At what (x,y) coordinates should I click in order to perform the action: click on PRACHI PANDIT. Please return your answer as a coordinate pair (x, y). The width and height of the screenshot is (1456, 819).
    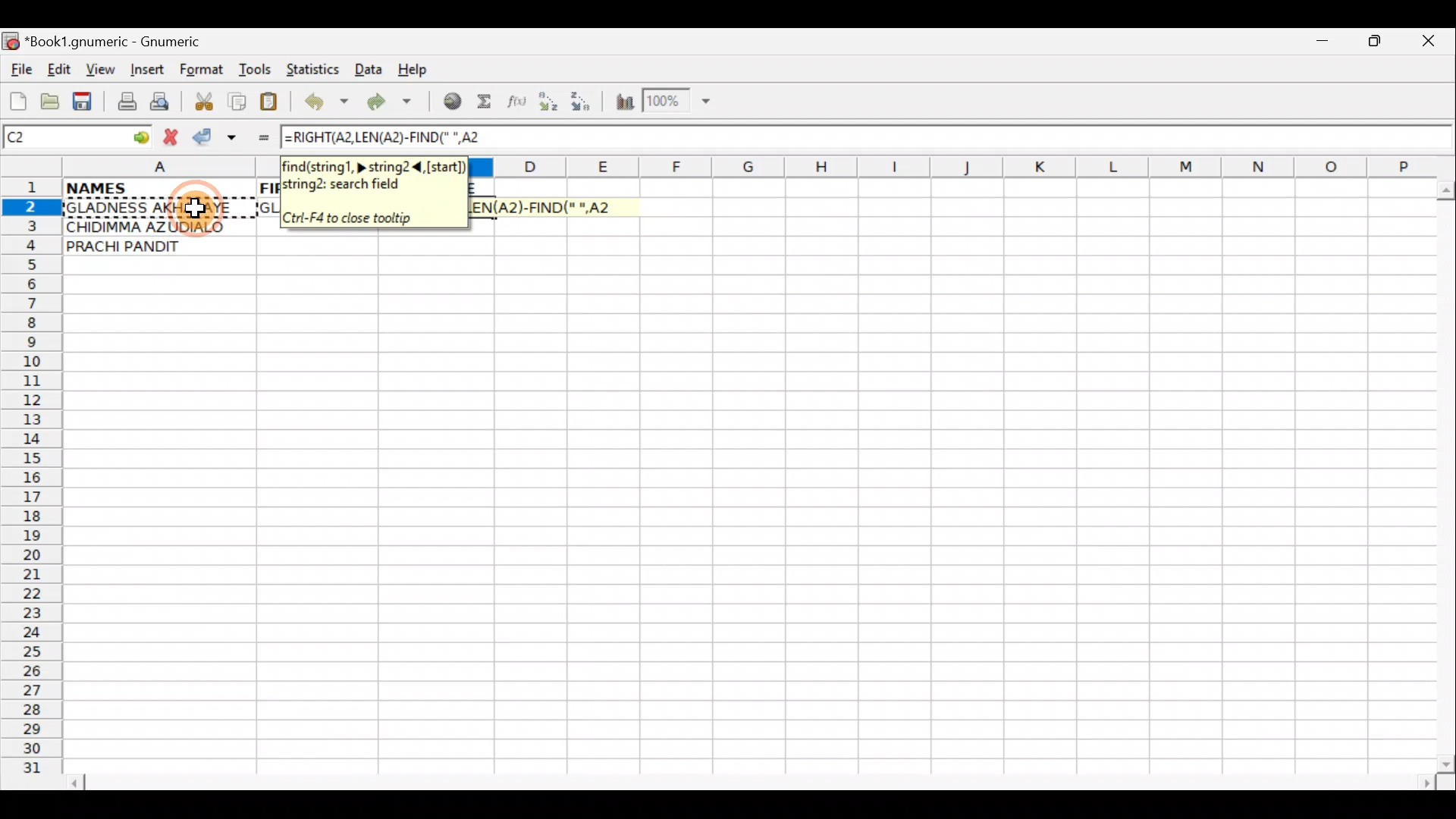
    Looking at the image, I should click on (149, 246).